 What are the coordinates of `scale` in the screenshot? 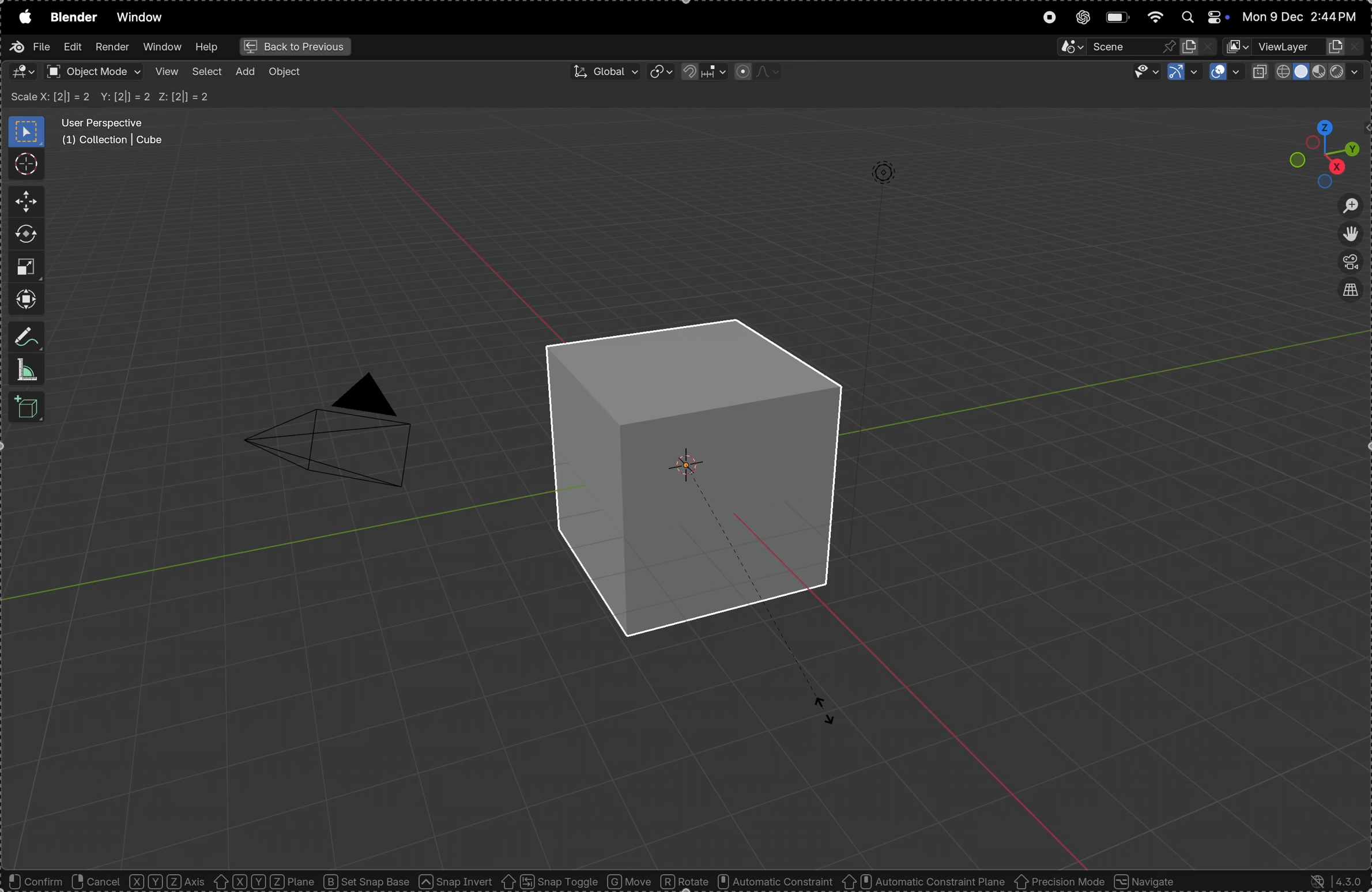 It's located at (29, 267).